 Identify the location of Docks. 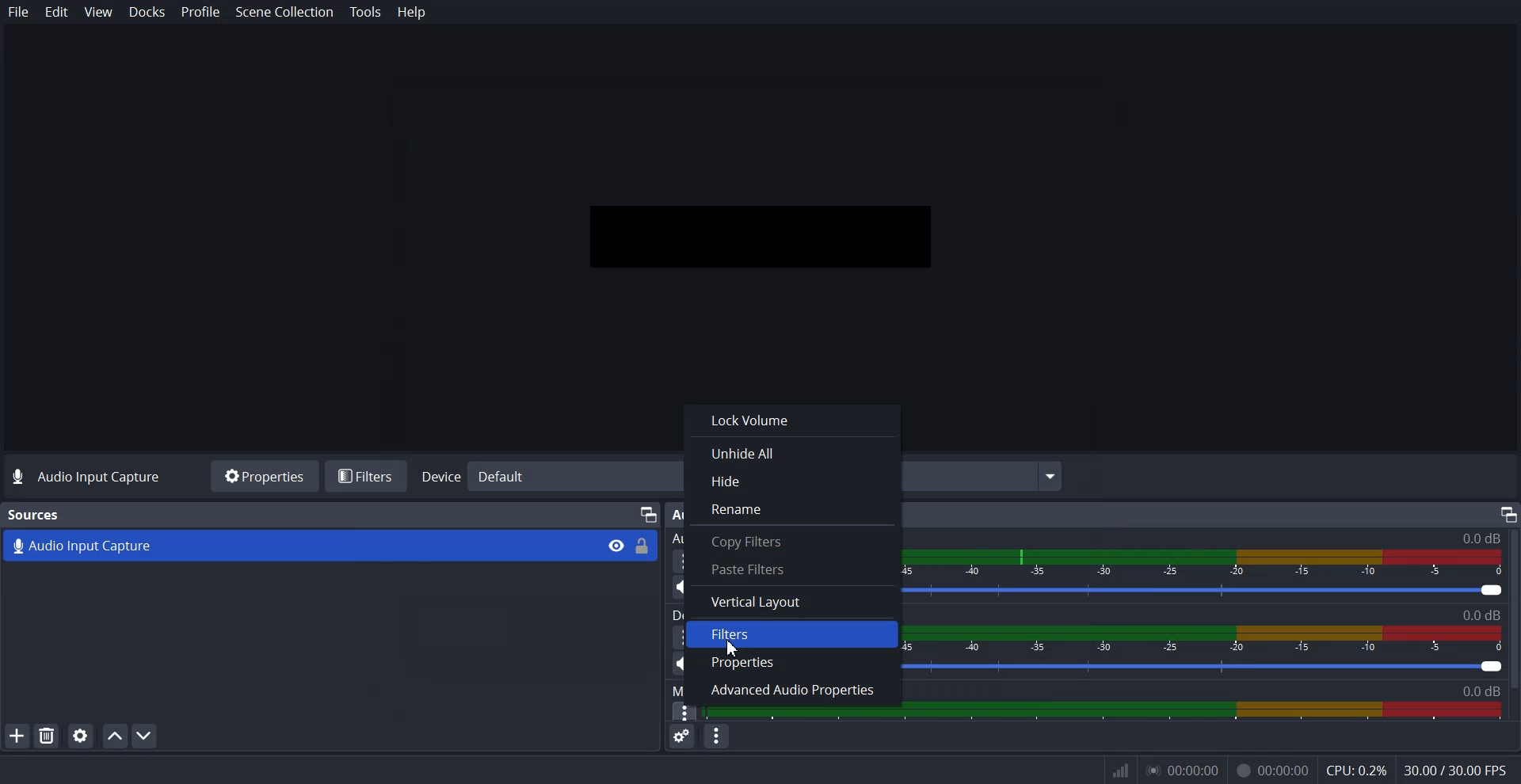
(147, 13).